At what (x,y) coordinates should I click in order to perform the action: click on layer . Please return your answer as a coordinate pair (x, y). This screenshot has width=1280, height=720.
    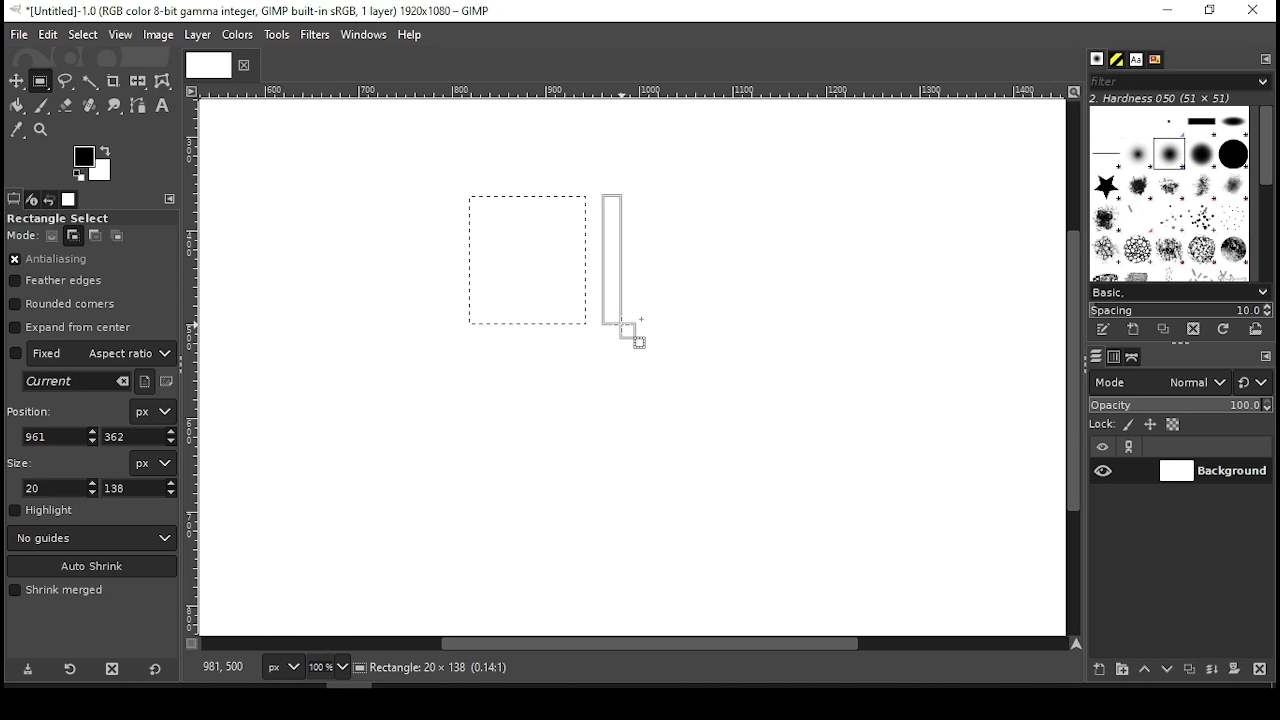
    Looking at the image, I should click on (1213, 471).